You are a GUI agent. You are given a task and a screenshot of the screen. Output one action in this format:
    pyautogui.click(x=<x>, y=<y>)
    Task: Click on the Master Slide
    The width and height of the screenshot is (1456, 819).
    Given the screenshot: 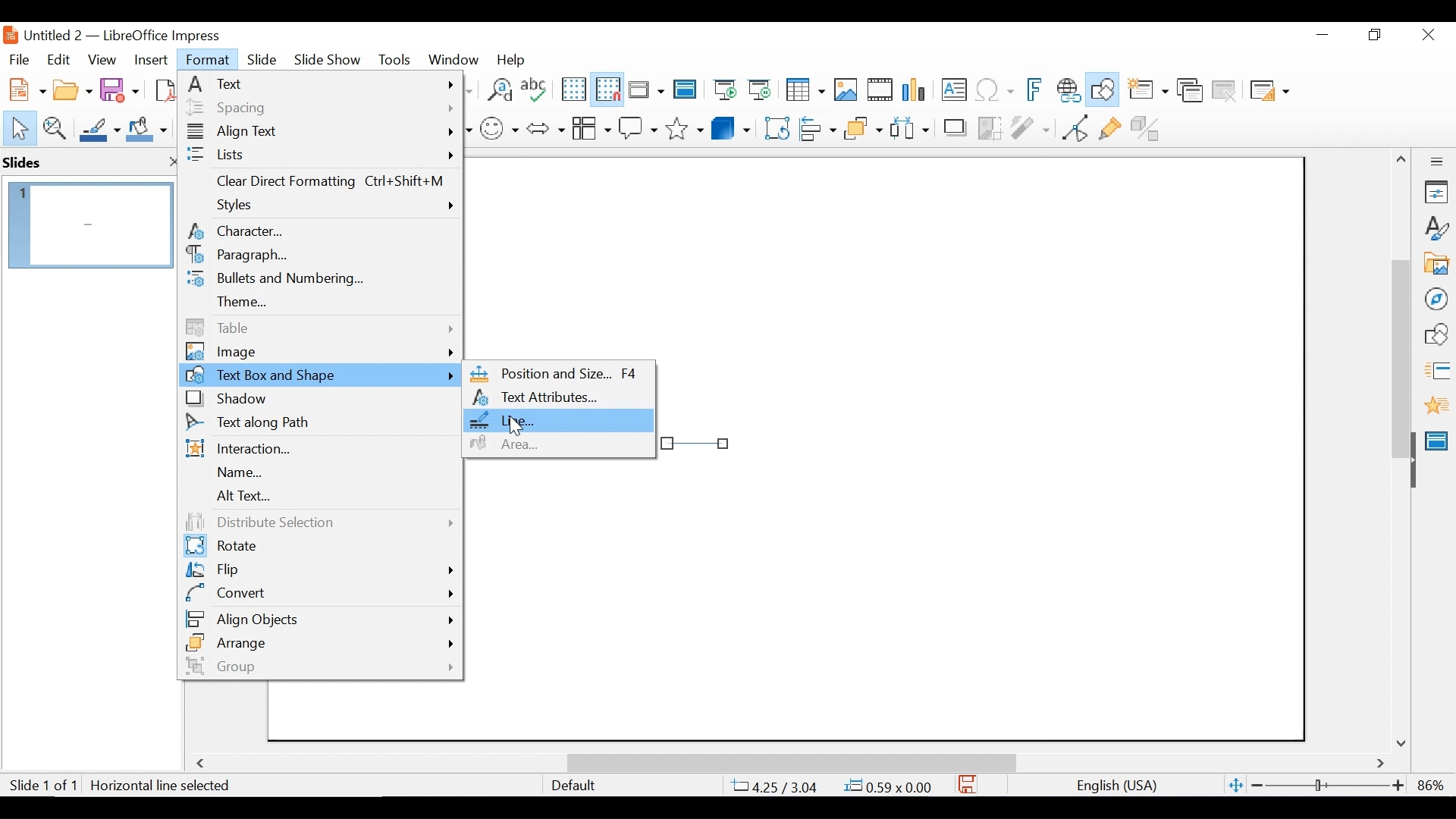 What is the action you would take?
    pyautogui.click(x=1439, y=439)
    